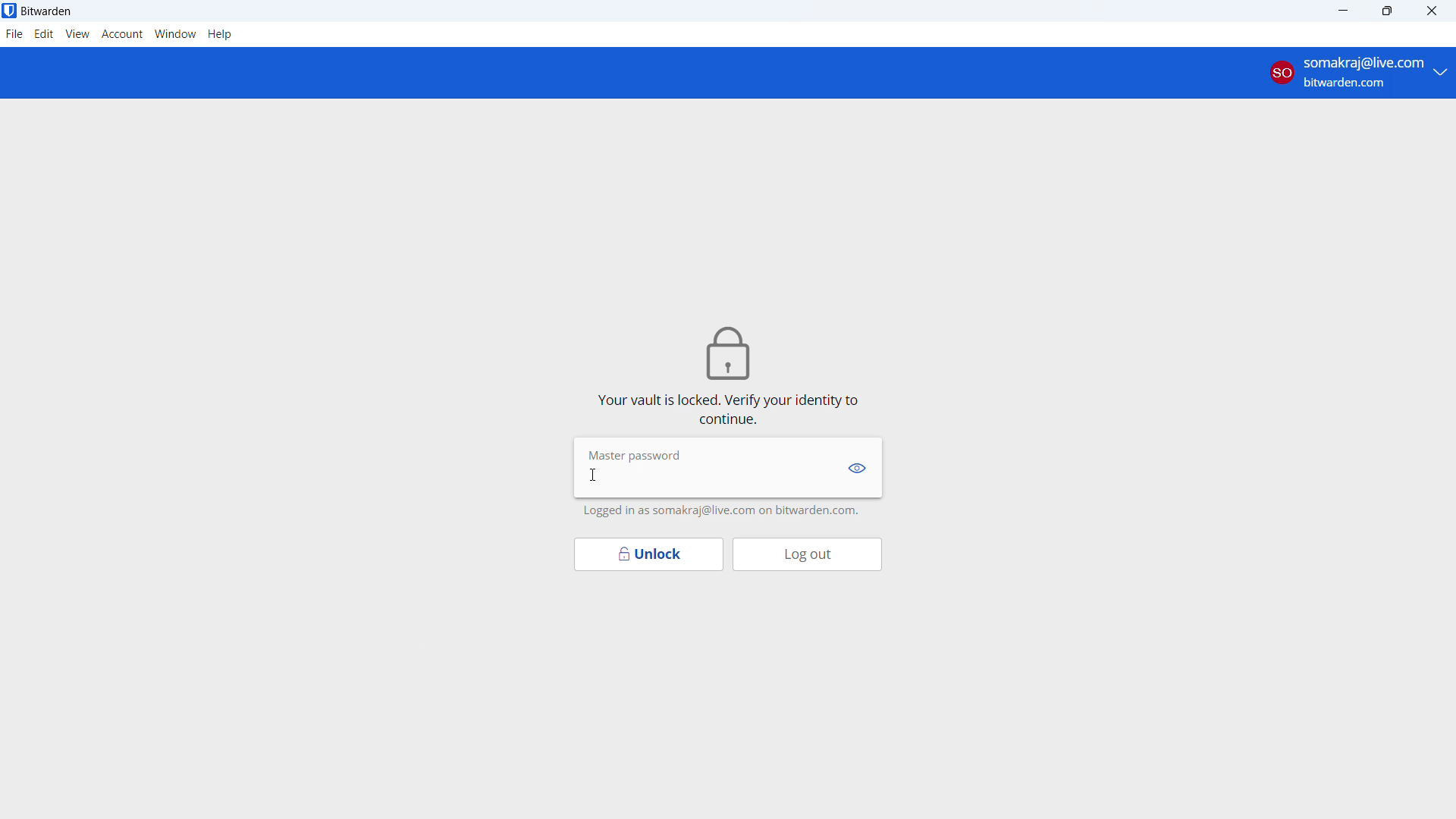 The width and height of the screenshot is (1456, 819). What do you see at coordinates (858, 467) in the screenshot?
I see `show password` at bounding box center [858, 467].